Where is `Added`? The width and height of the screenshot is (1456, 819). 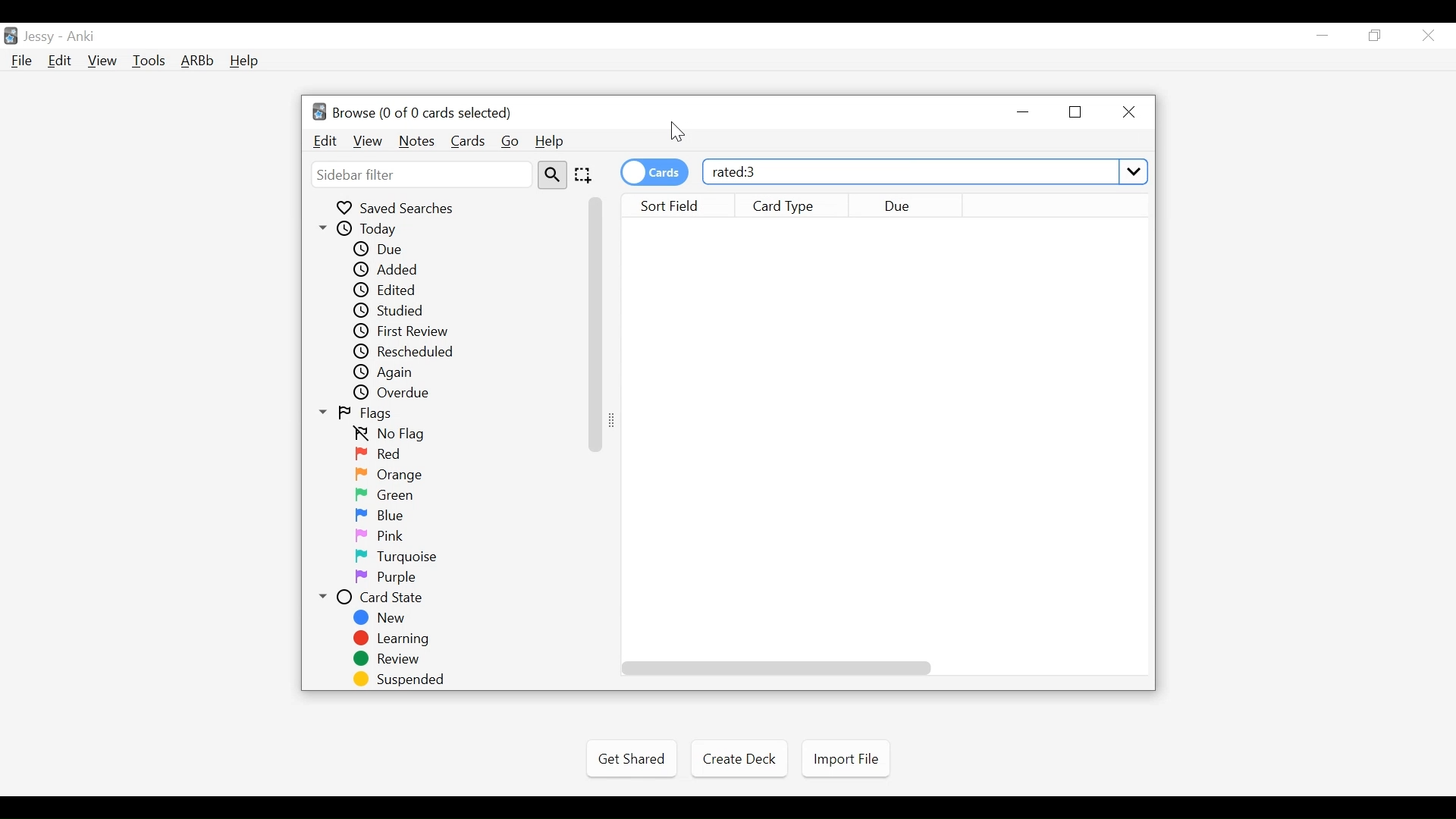
Added is located at coordinates (388, 269).